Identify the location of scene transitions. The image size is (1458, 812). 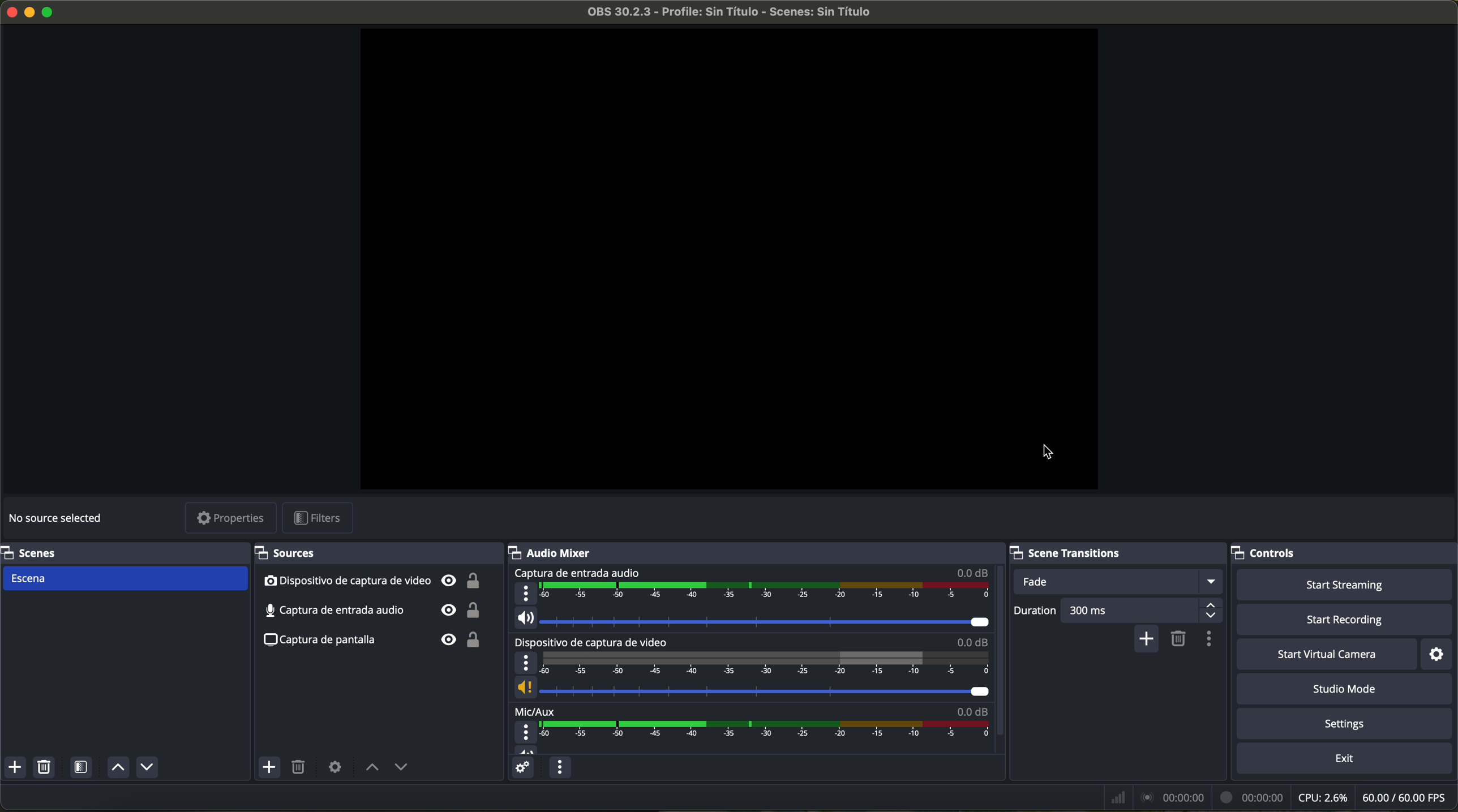
(1115, 553).